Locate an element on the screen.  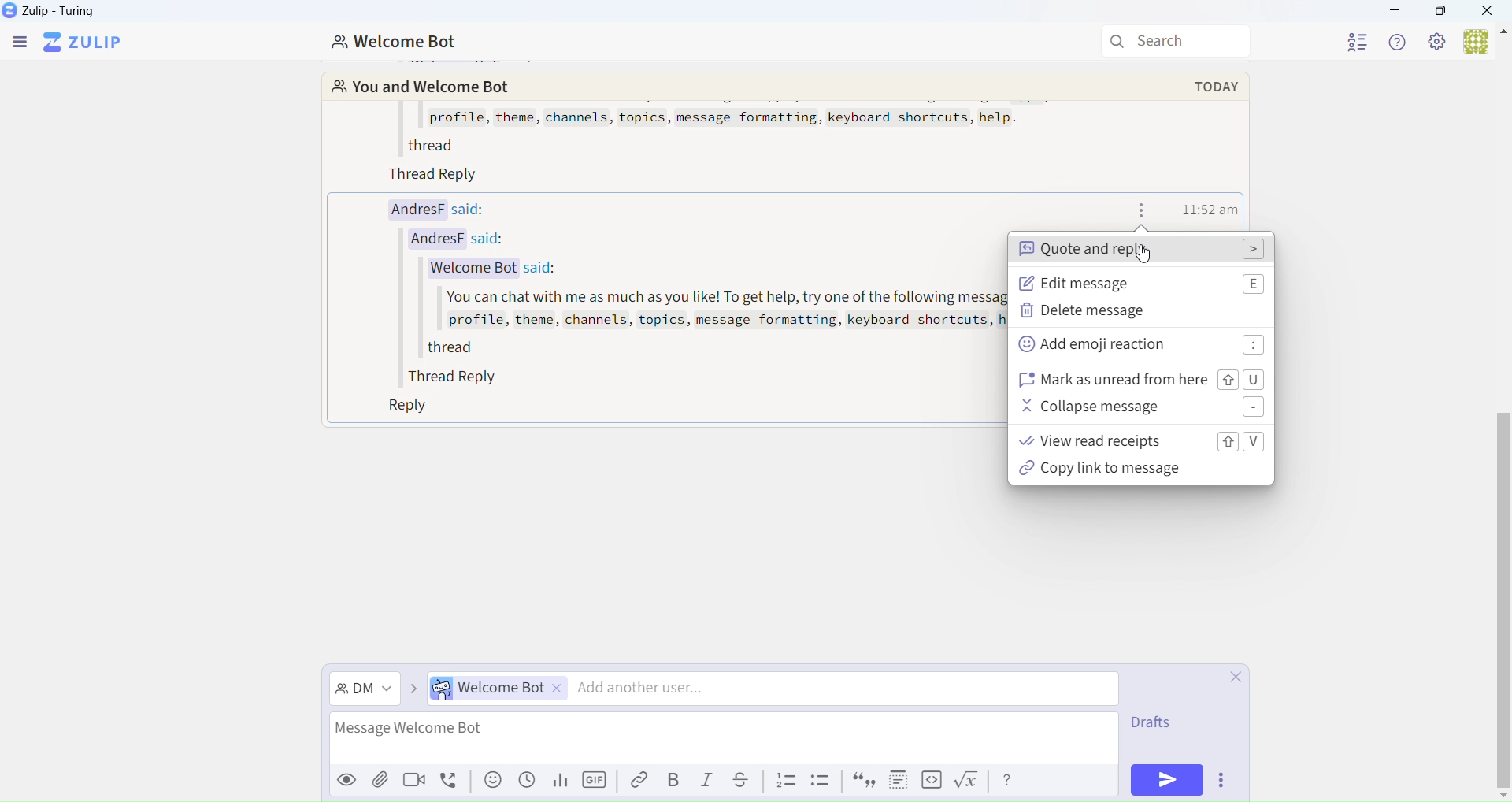
profile, theme, channels, topics, message formatting, keyboard shortcuts, help. is located at coordinates (735, 118).